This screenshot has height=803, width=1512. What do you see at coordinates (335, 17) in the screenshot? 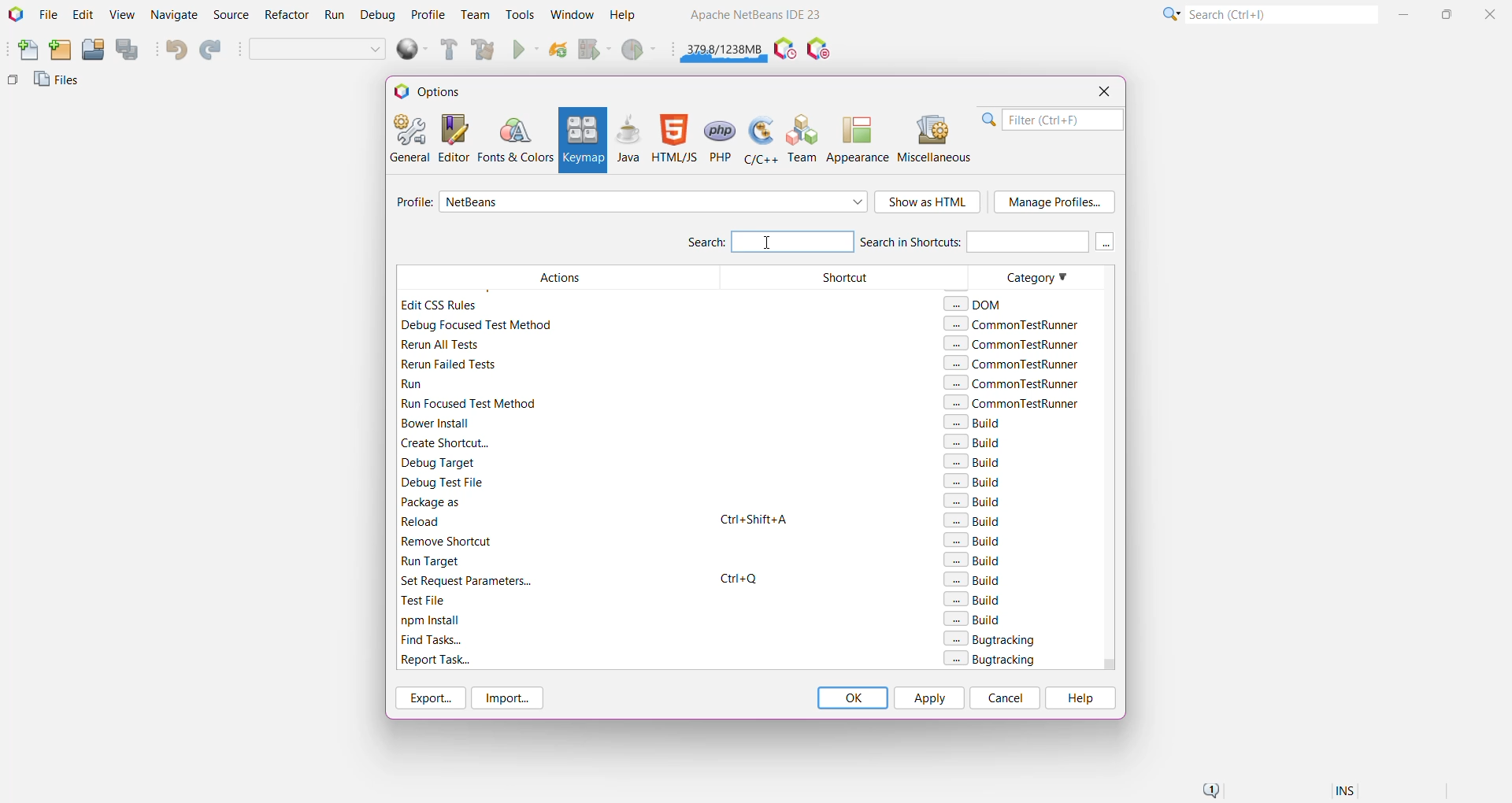
I see `Run` at bounding box center [335, 17].